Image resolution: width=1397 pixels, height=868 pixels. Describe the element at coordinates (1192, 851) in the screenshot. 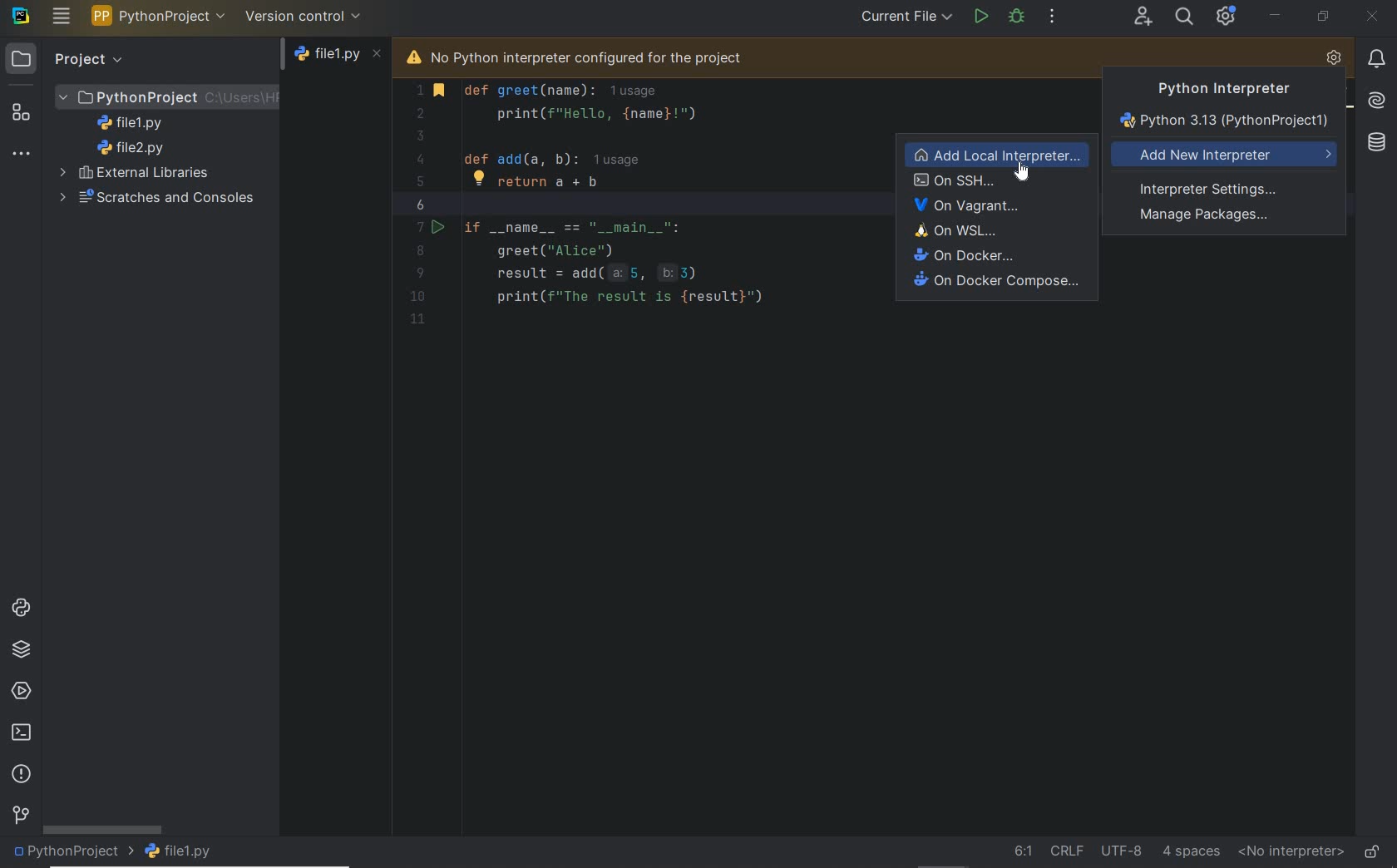

I see `indent` at that location.